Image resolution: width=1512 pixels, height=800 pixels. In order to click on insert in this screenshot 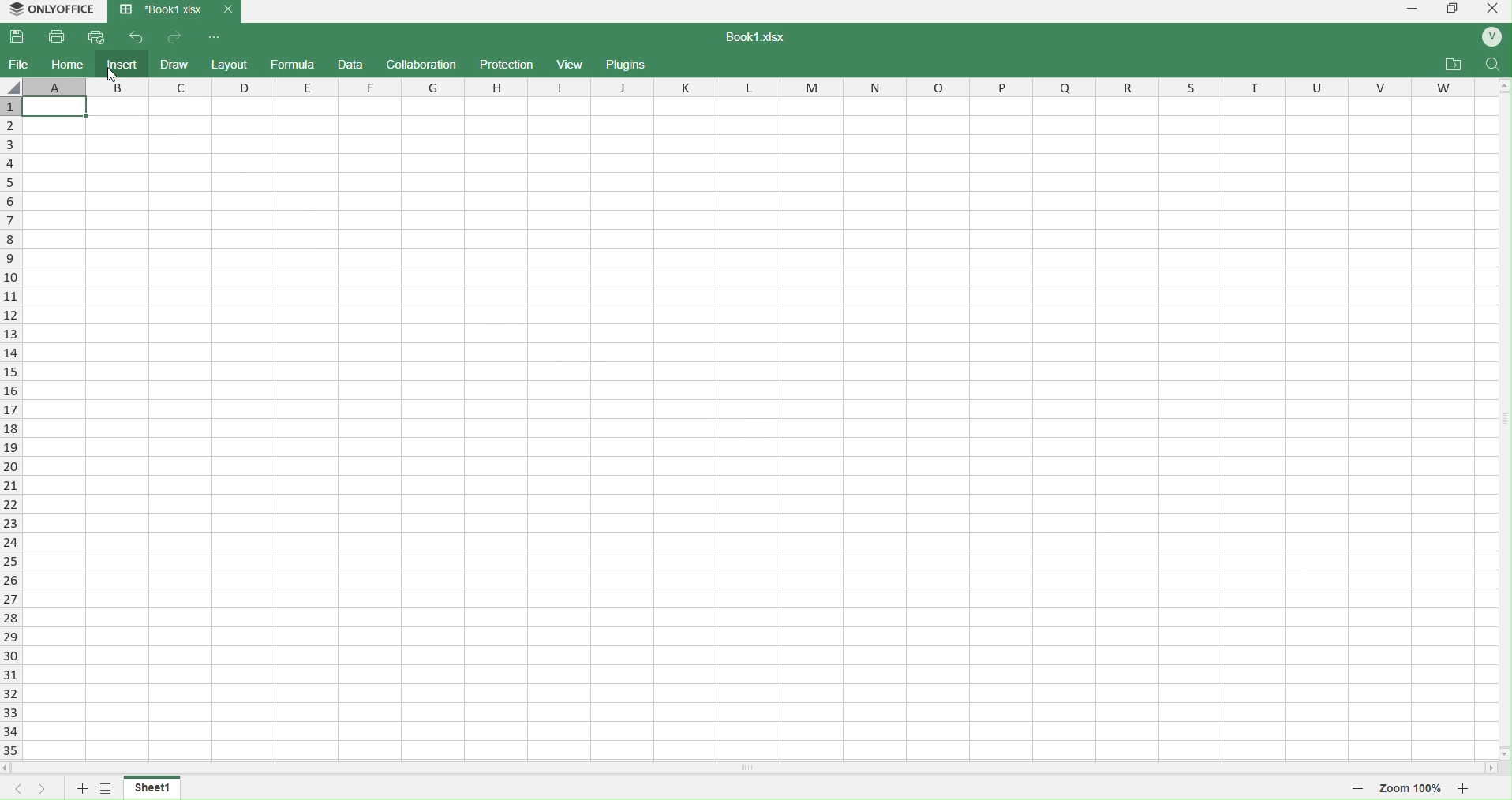, I will do `click(122, 64)`.